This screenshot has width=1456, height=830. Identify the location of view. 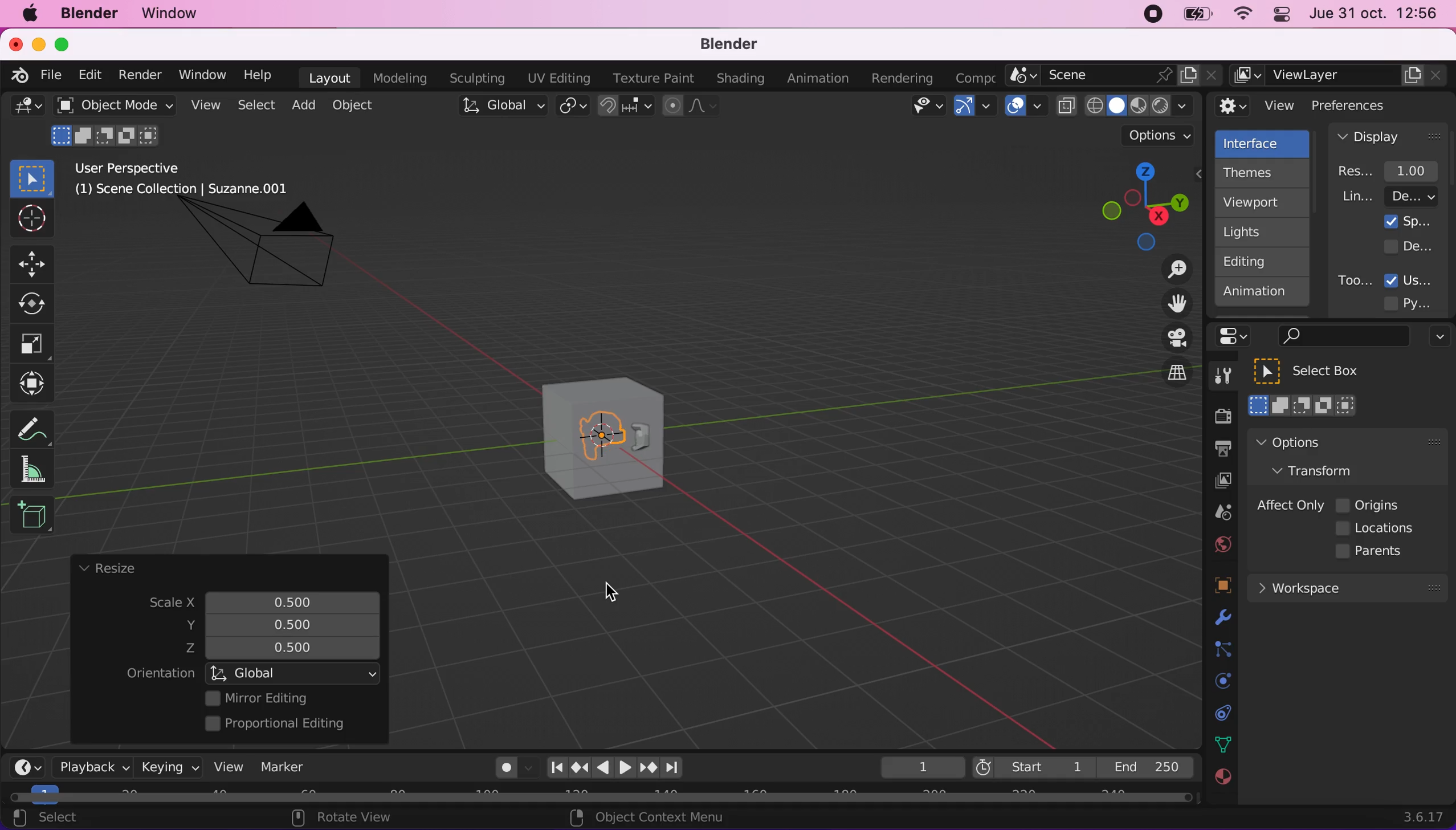
(1256, 106).